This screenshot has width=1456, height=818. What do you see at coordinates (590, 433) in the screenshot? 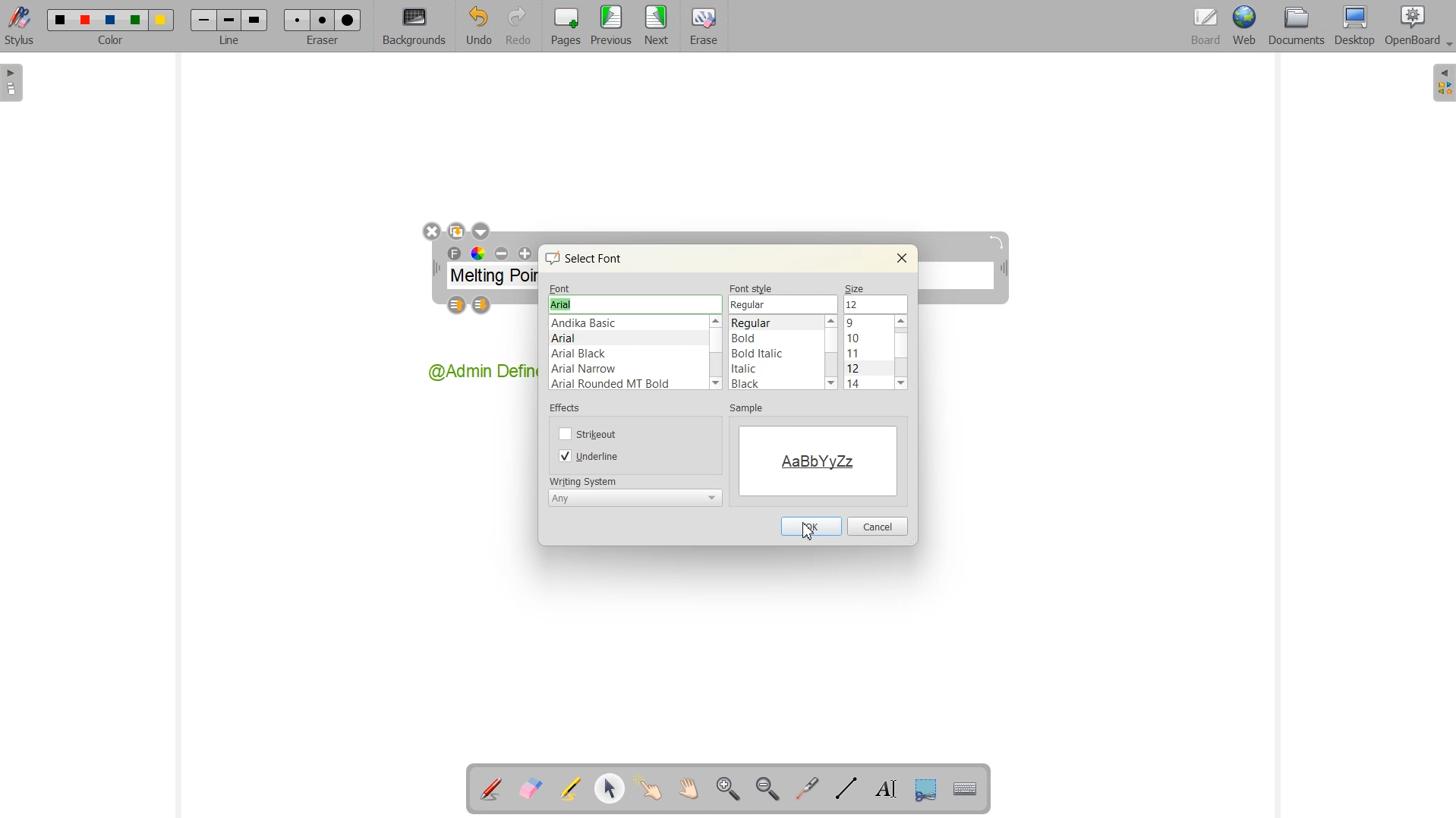
I see `Strikeout` at bounding box center [590, 433].